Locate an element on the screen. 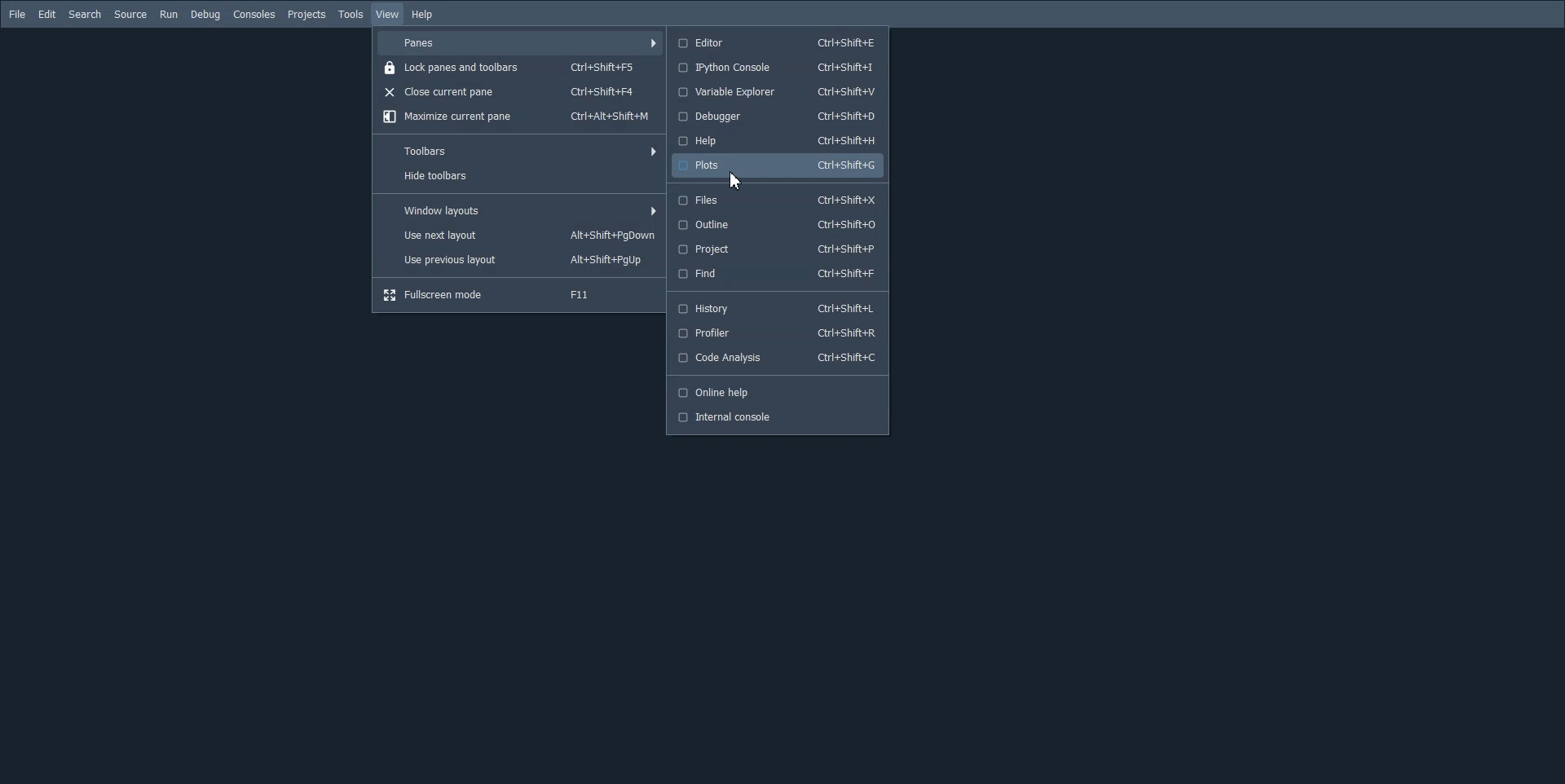 The height and width of the screenshot is (784, 1565). Find is located at coordinates (780, 273).